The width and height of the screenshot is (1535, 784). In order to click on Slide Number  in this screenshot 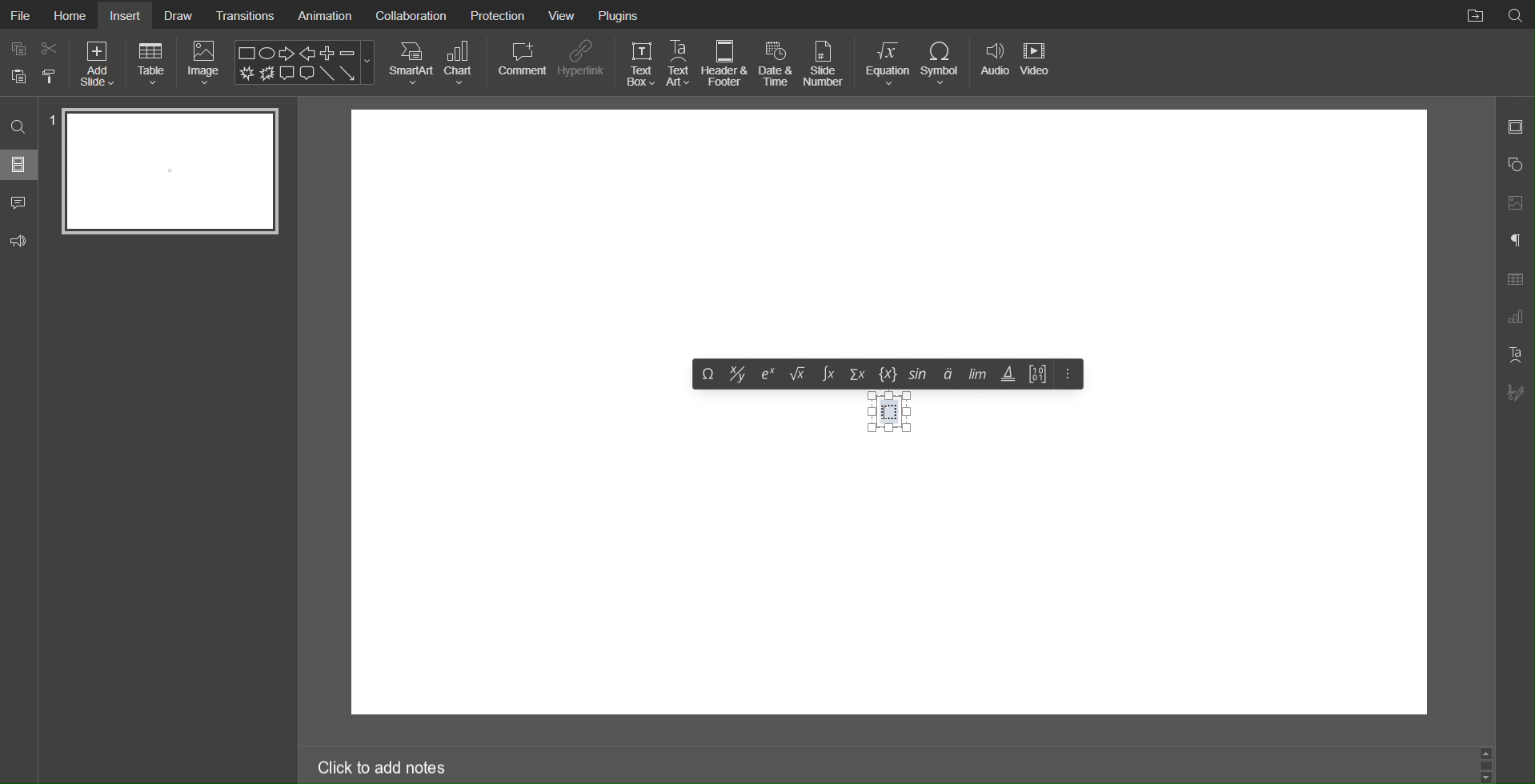, I will do `click(828, 62)`.